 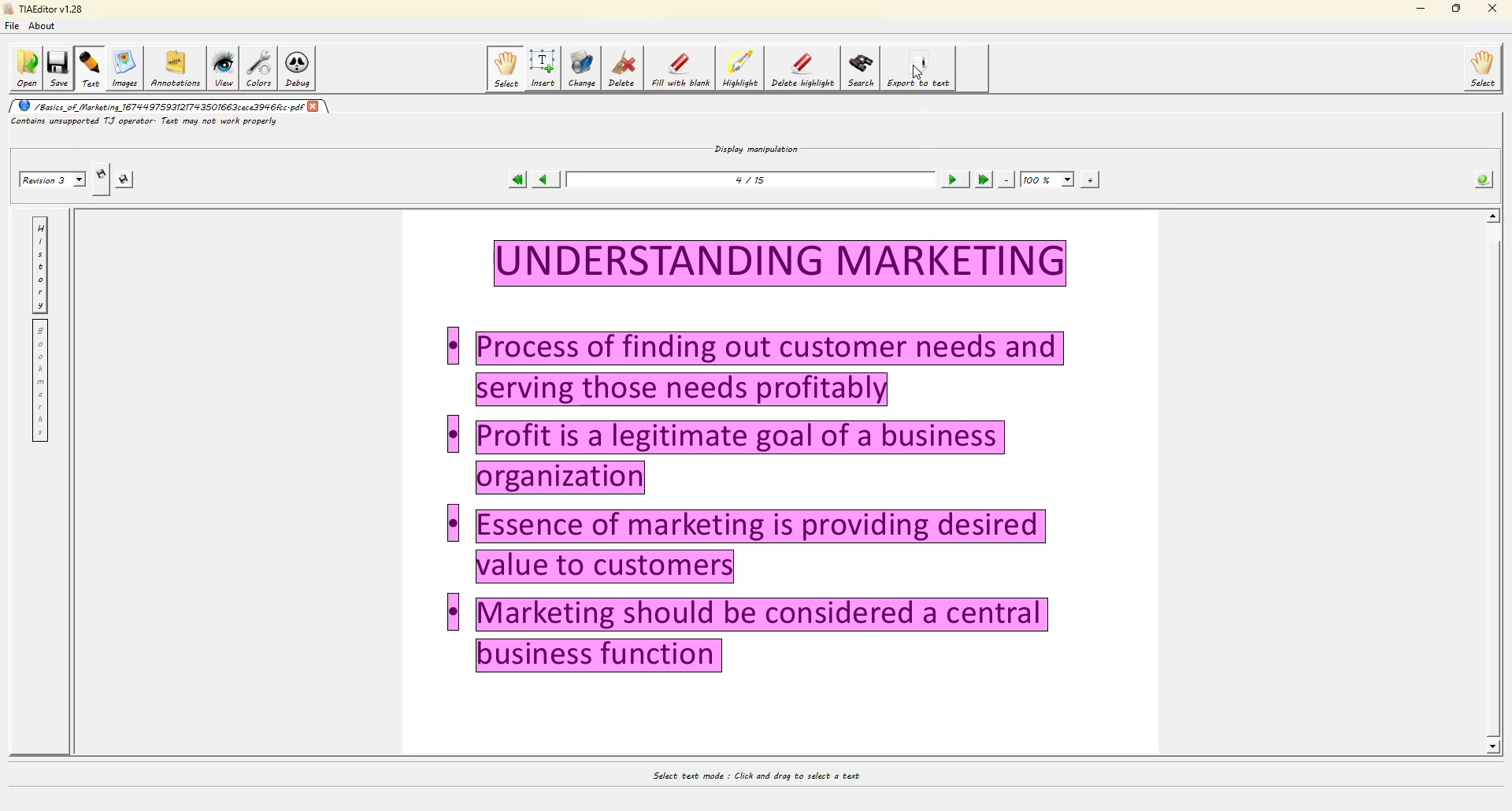 I want to click on scroll up, so click(x=1490, y=217).